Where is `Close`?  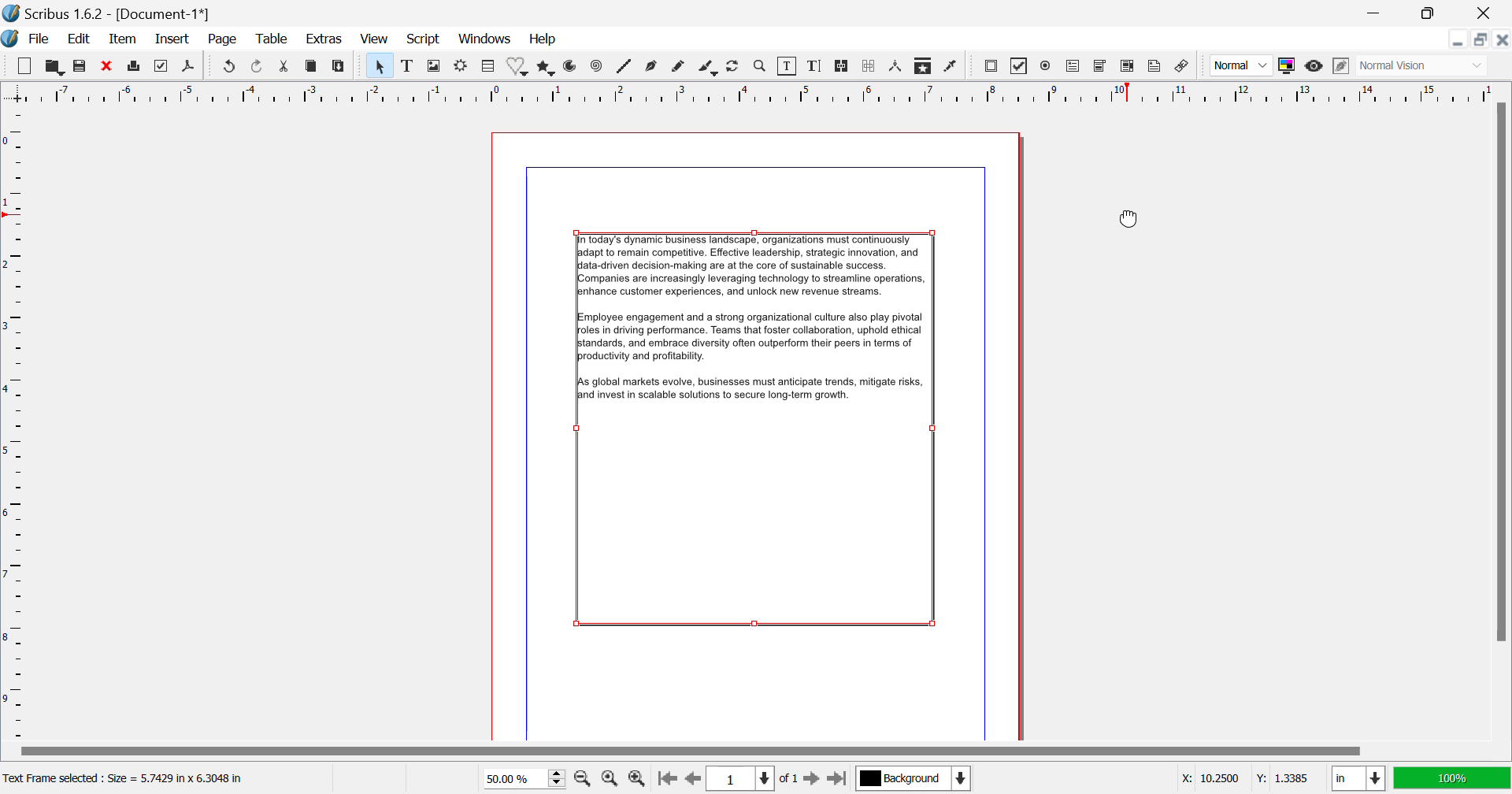
Close is located at coordinates (1485, 13).